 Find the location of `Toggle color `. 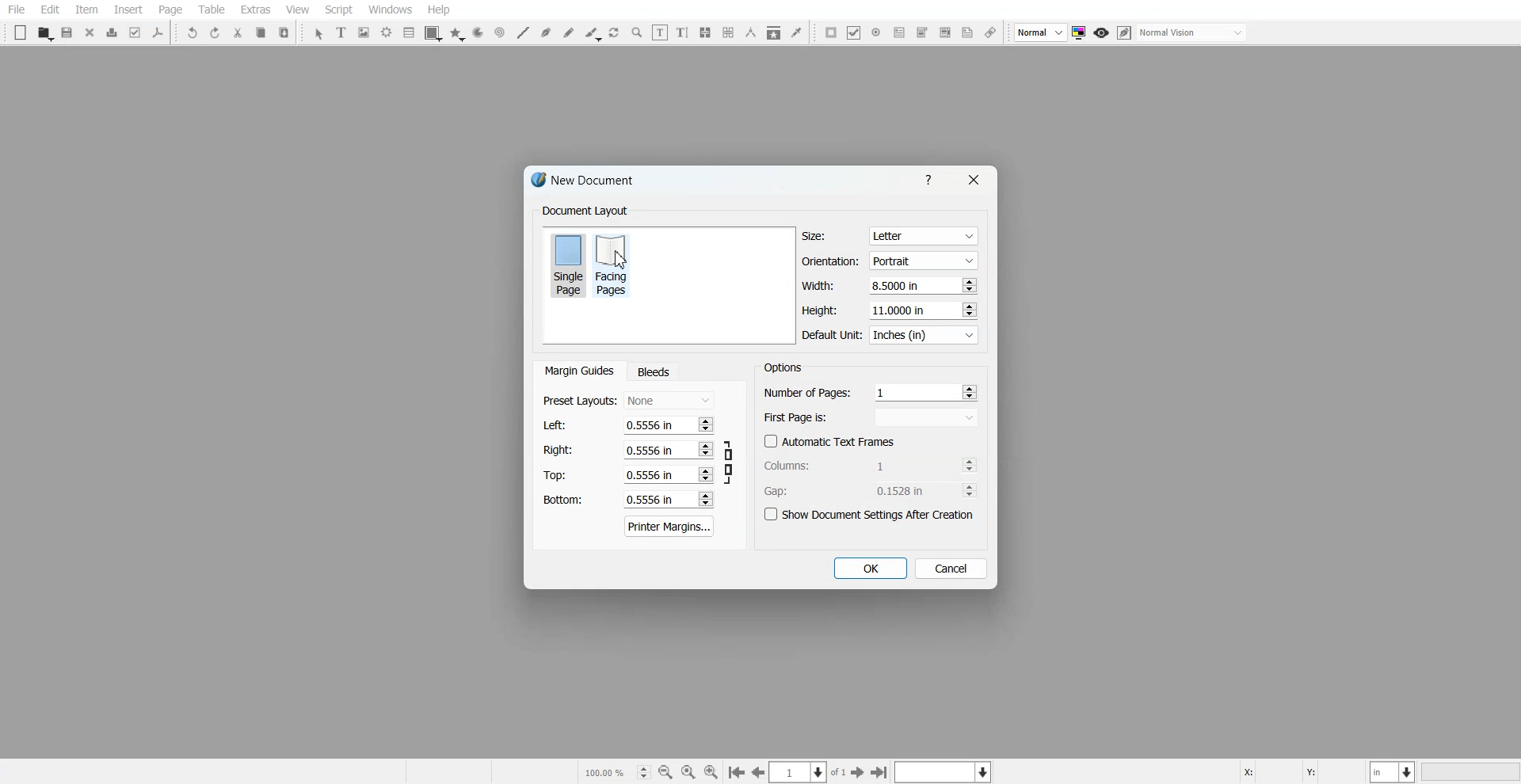

Toggle color  is located at coordinates (1081, 33).